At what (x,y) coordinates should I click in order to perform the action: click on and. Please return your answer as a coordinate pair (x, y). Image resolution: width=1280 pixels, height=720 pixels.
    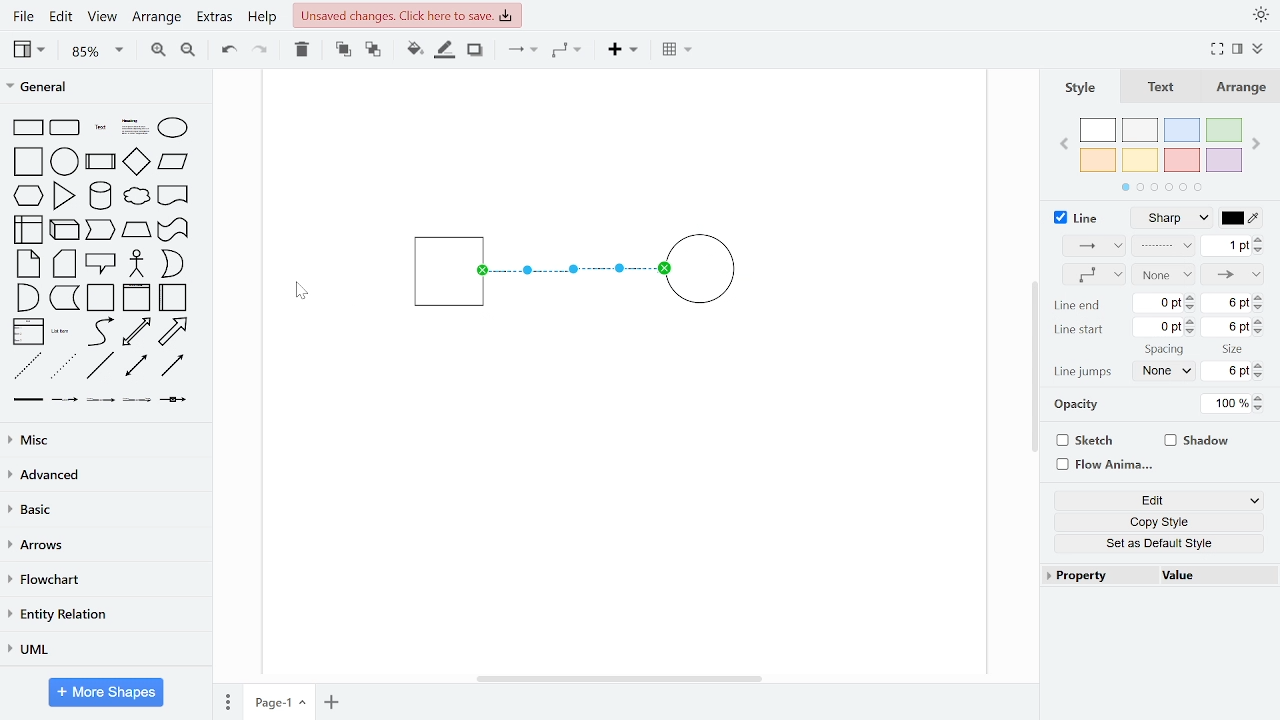
    Looking at the image, I should click on (28, 296).